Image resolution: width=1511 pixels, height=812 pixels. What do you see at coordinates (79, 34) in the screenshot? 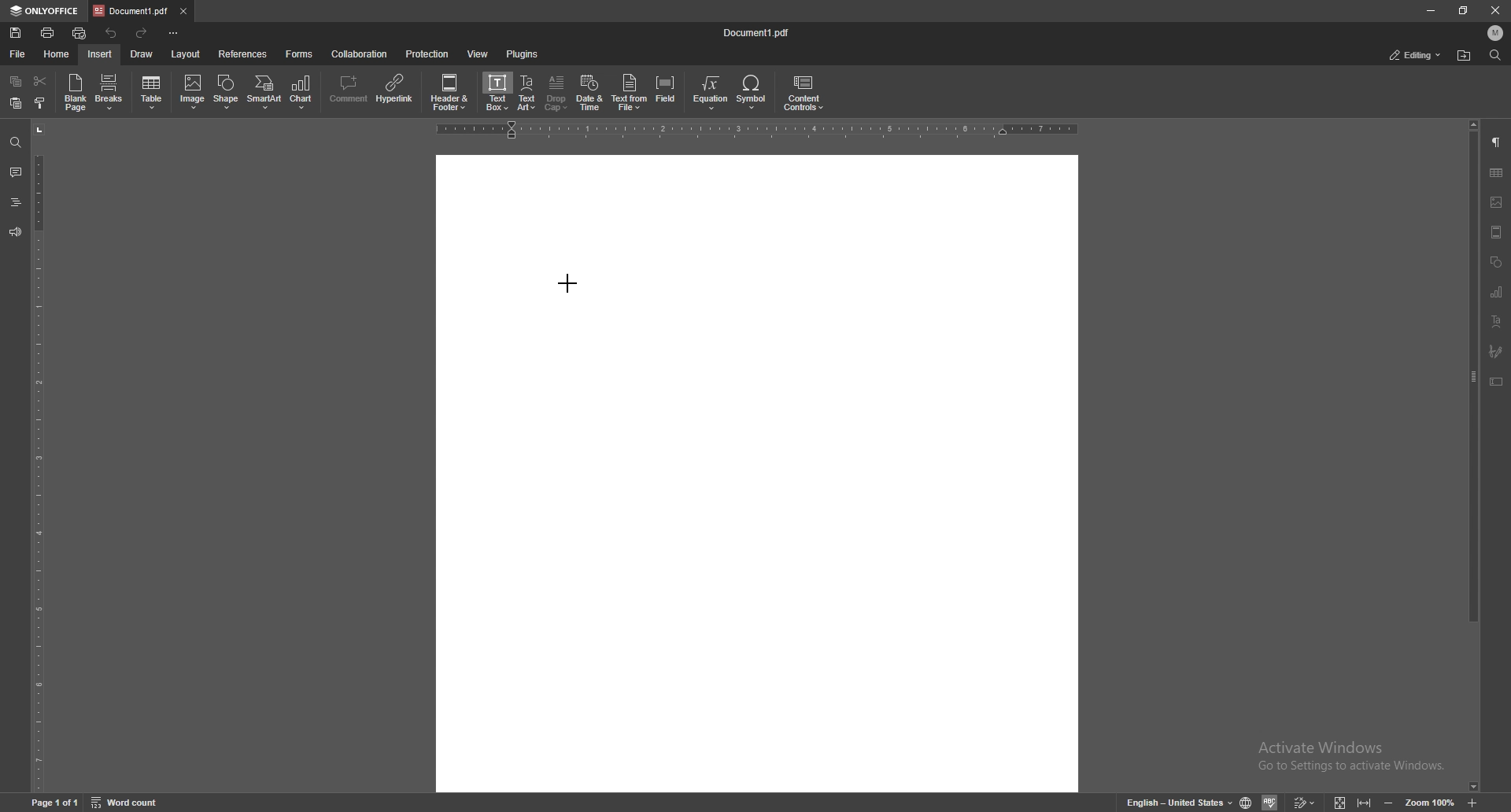
I see `quick print` at bounding box center [79, 34].